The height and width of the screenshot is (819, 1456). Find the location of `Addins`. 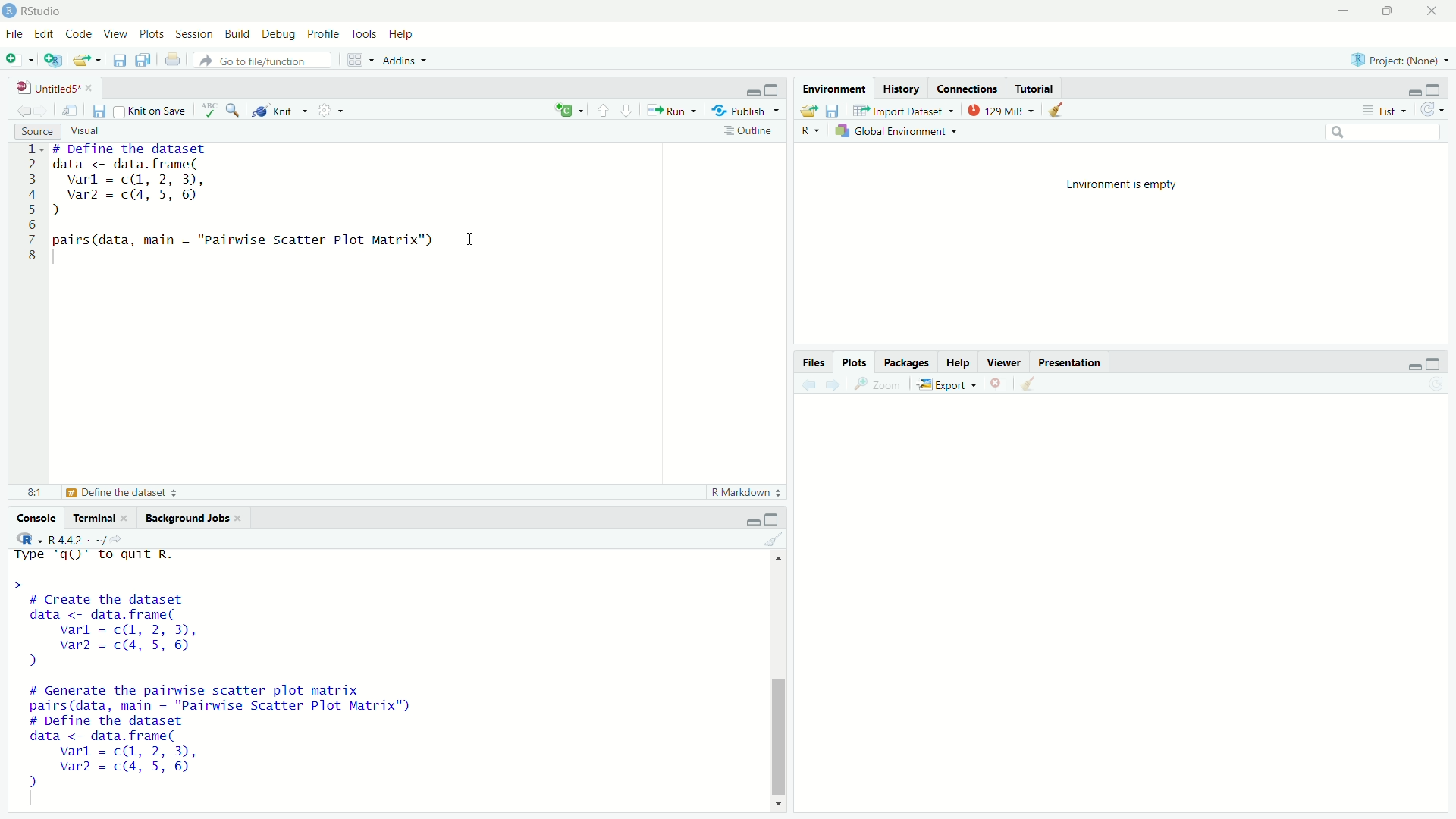

Addins is located at coordinates (407, 59).